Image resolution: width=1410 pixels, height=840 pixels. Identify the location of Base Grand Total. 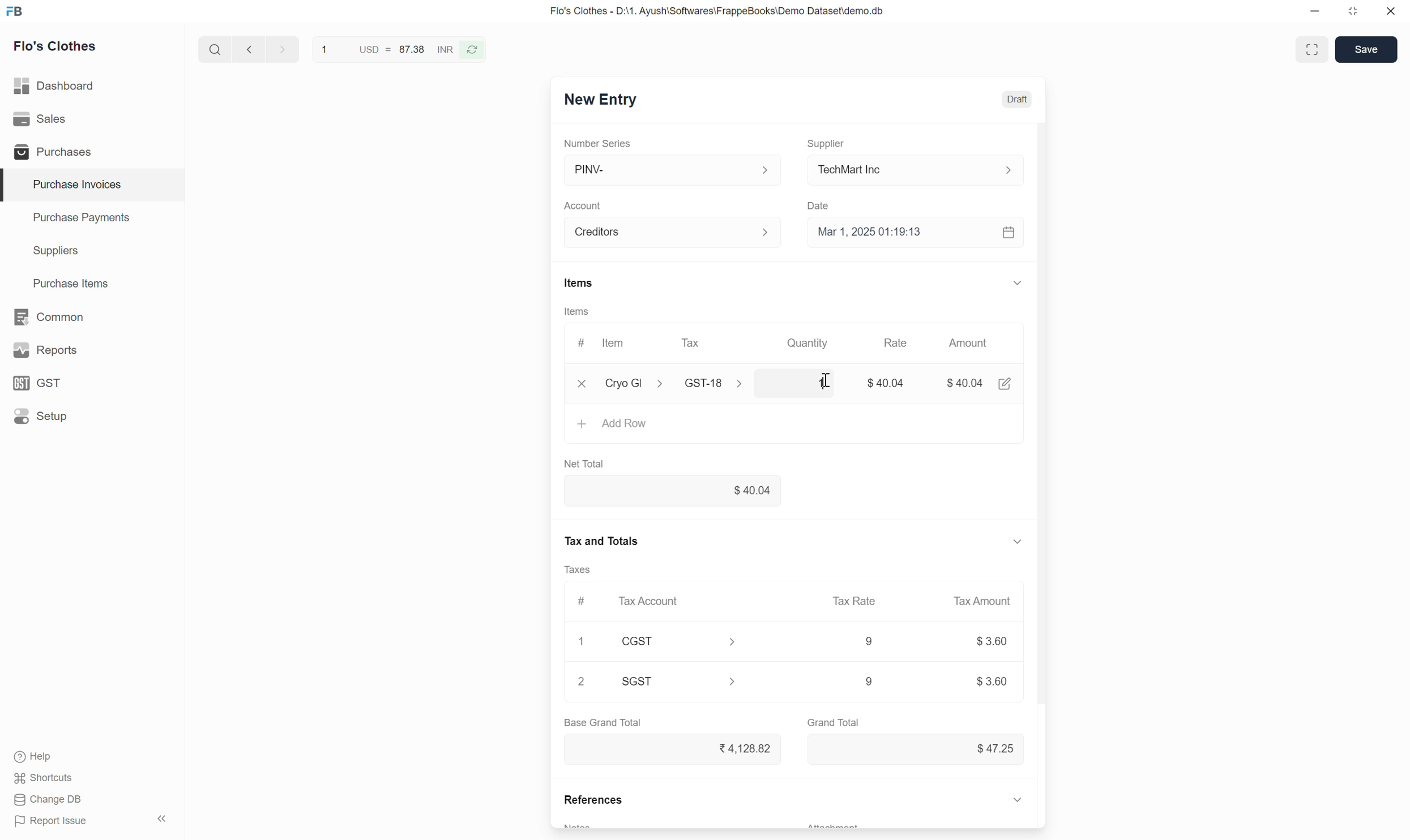
(603, 722).